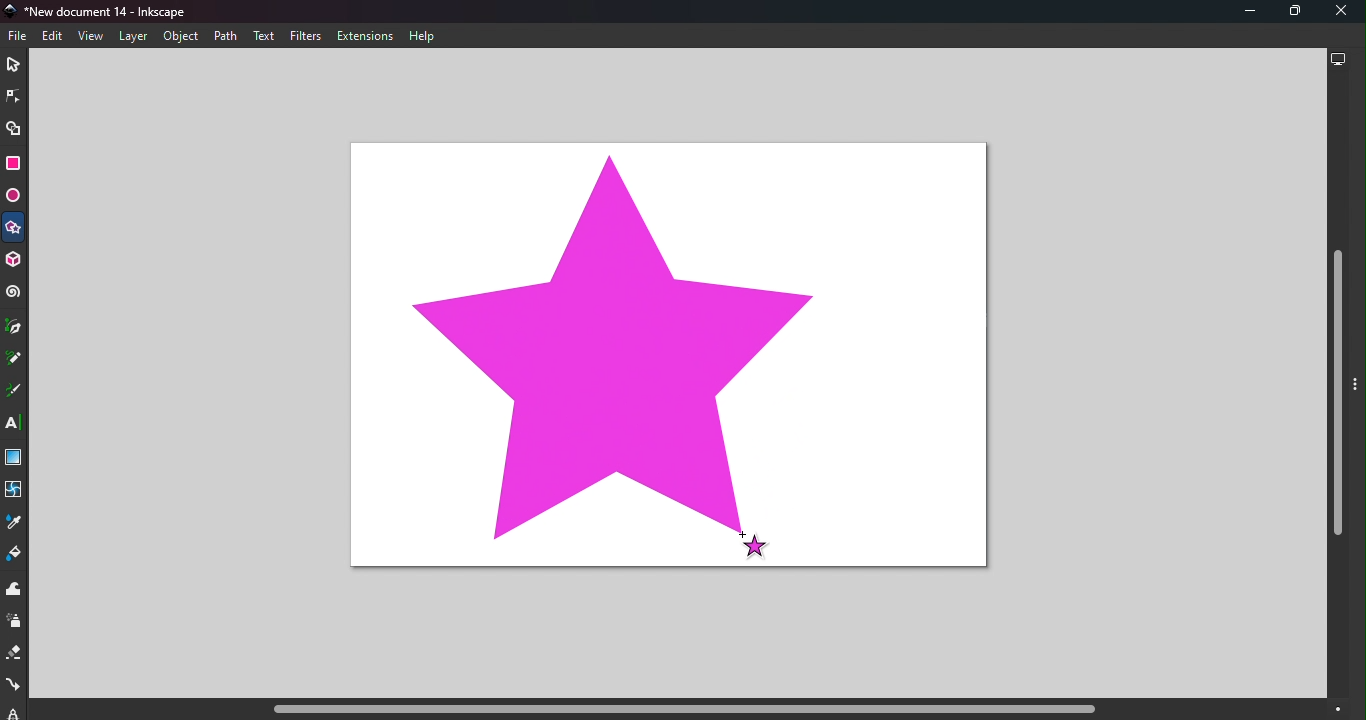 The width and height of the screenshot is (1366, 720). I want to click on Pen tool, so click(15, 327).